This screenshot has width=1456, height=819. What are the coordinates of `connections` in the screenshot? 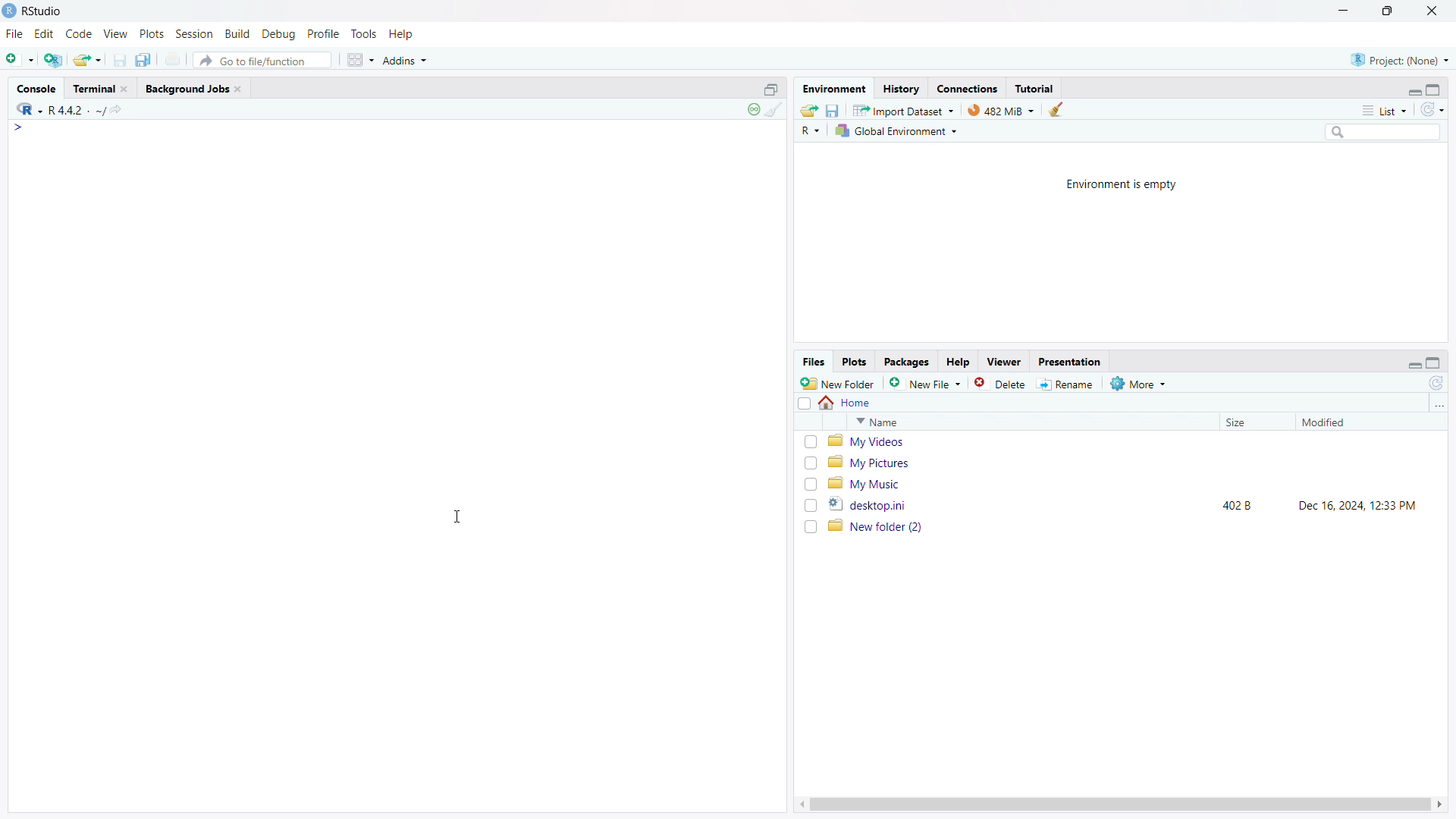 It's located at (967, 88).